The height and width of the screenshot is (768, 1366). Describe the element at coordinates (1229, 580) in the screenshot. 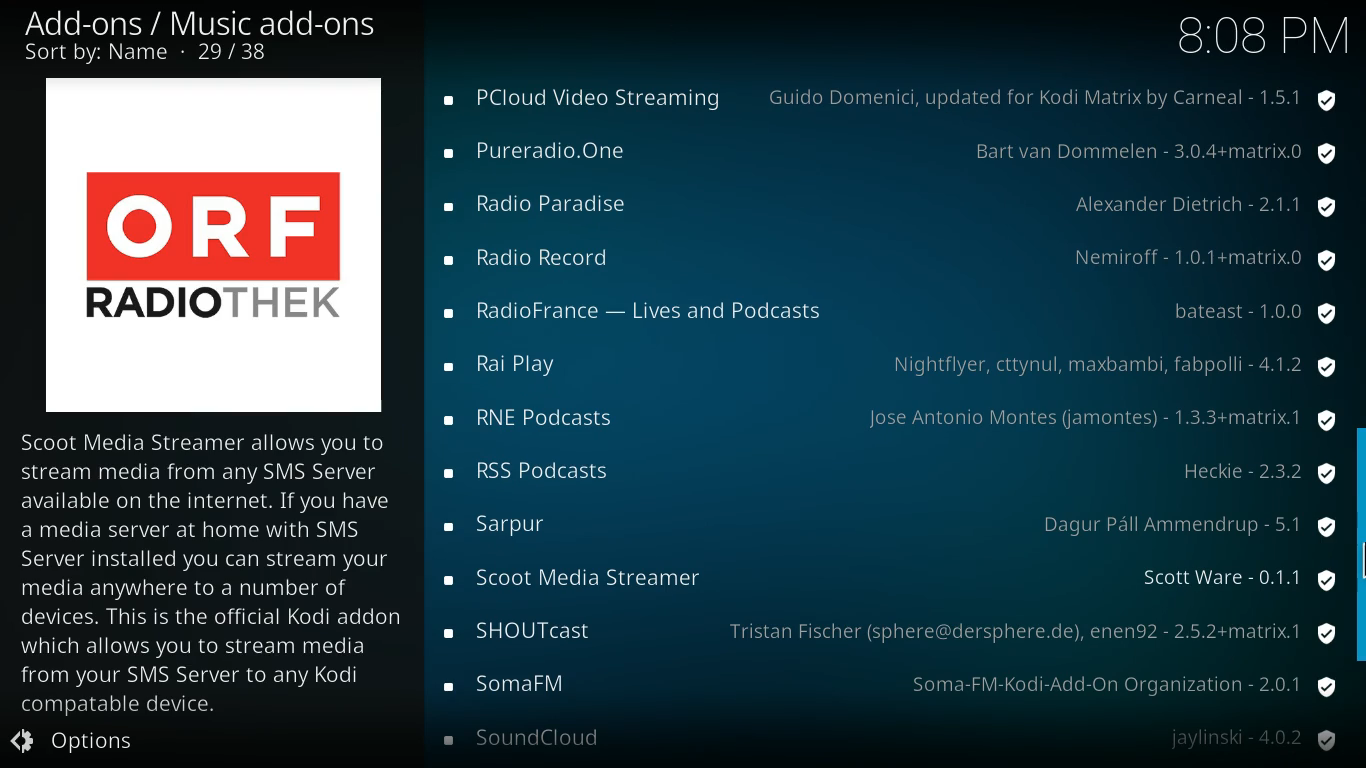

I see `provider` at that location.